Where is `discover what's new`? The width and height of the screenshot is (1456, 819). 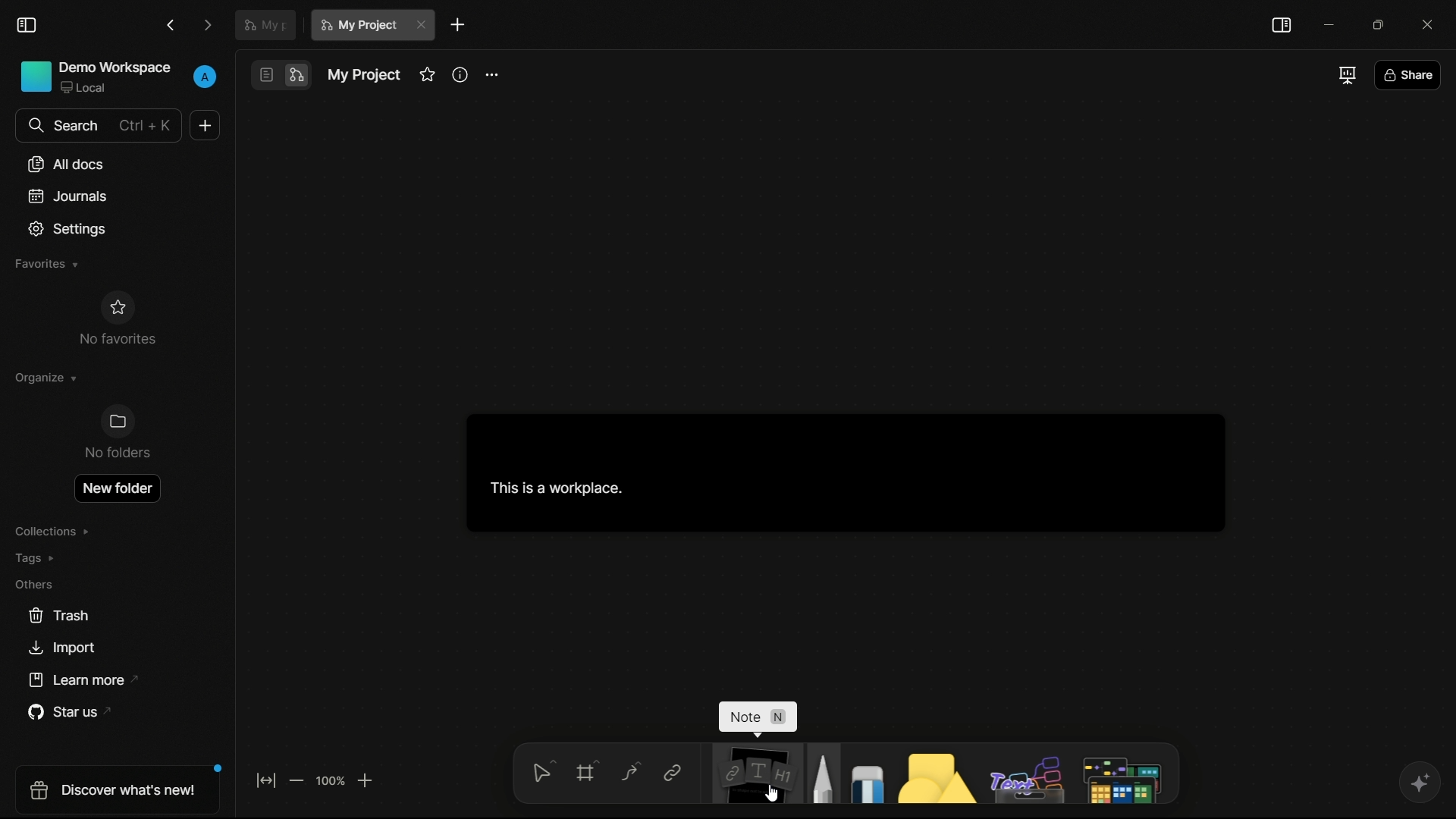
discover what's new is located at coordinates (115, 791).